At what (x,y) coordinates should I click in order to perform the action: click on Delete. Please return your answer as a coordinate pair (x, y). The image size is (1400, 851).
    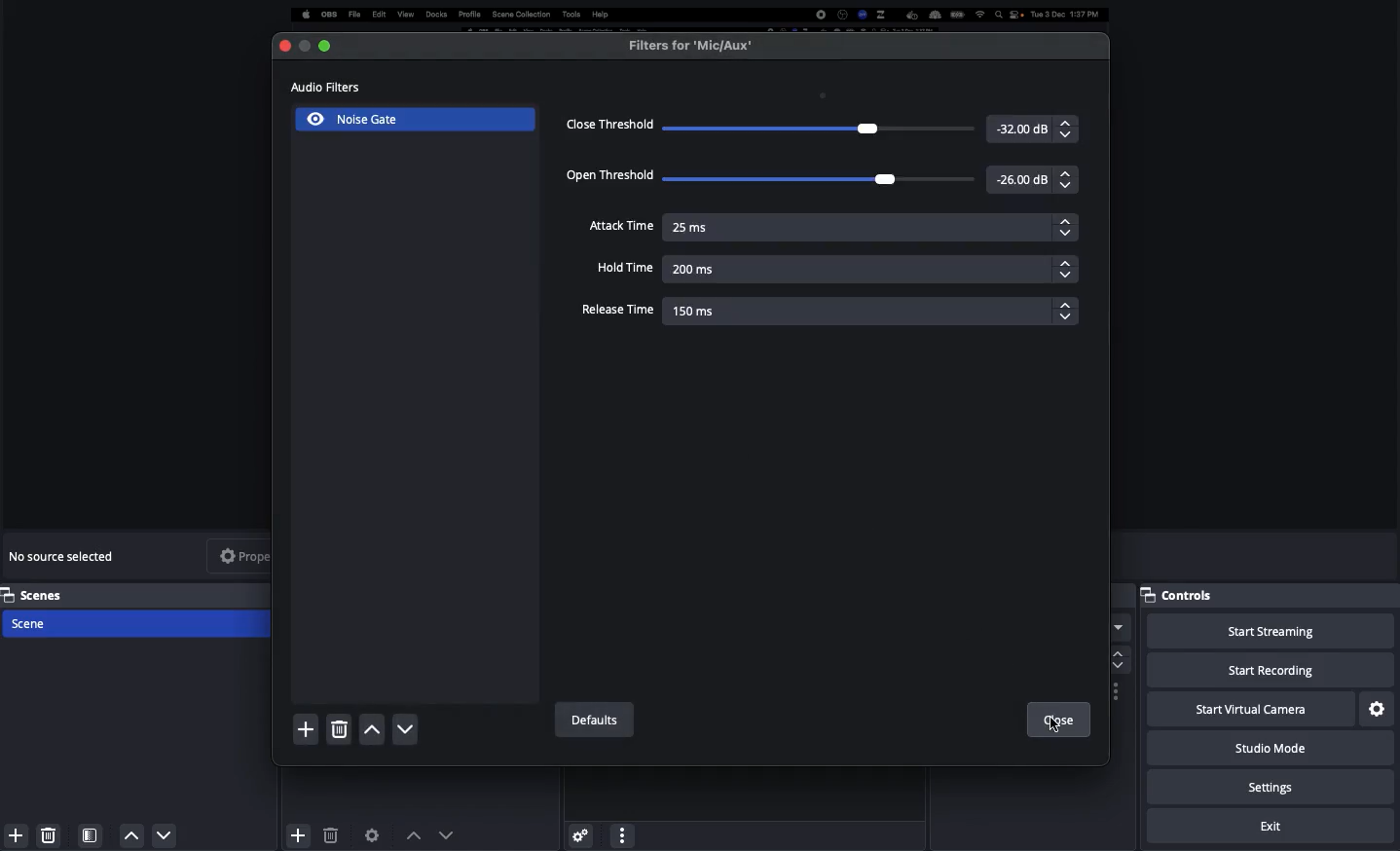
    Looking at the image, I should click on (49, 832).